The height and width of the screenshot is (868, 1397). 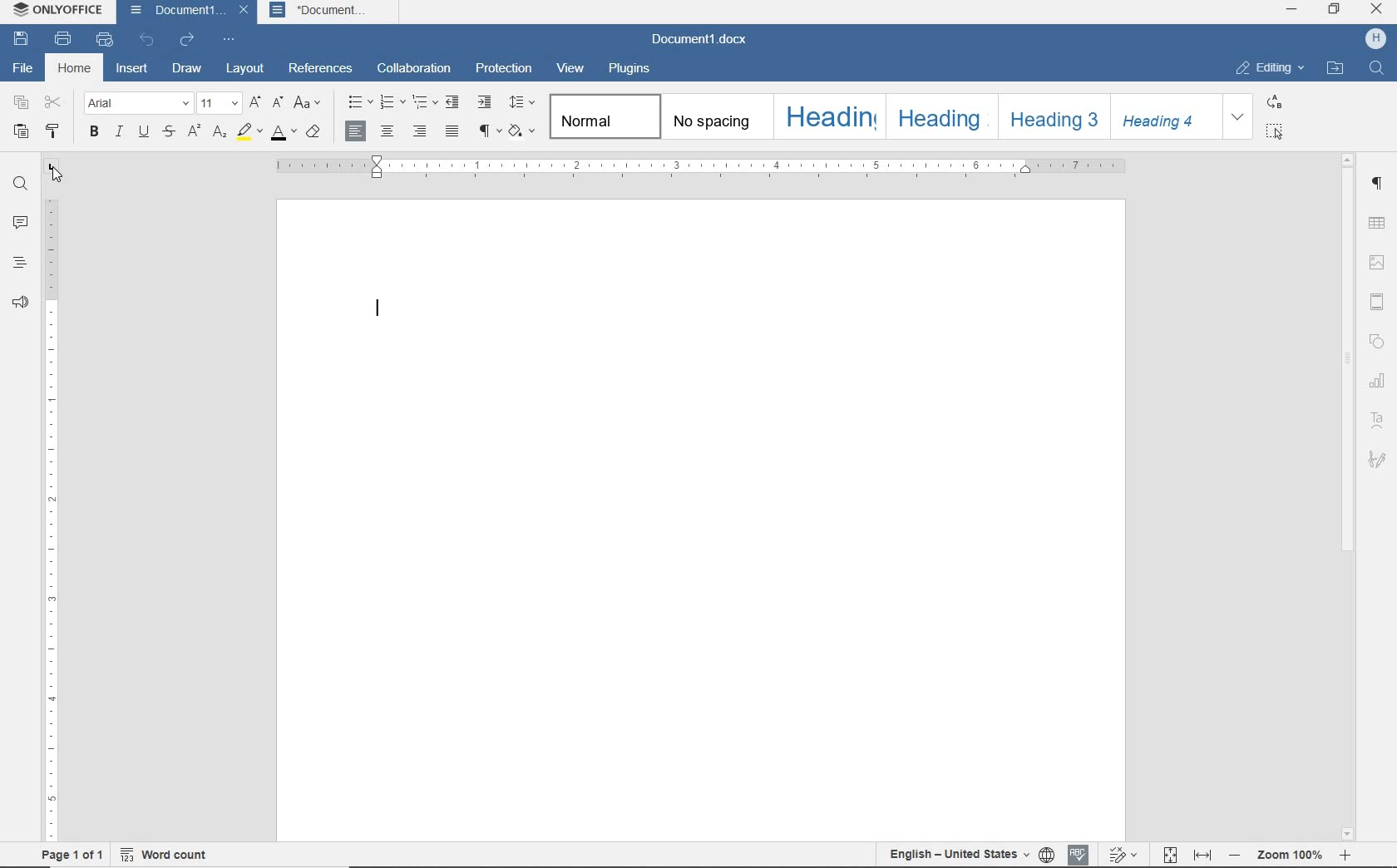 What do you see at coordinates (161, 855) in the screenshot?
I see `WORD COUNT` at bounding box center [161, 855].